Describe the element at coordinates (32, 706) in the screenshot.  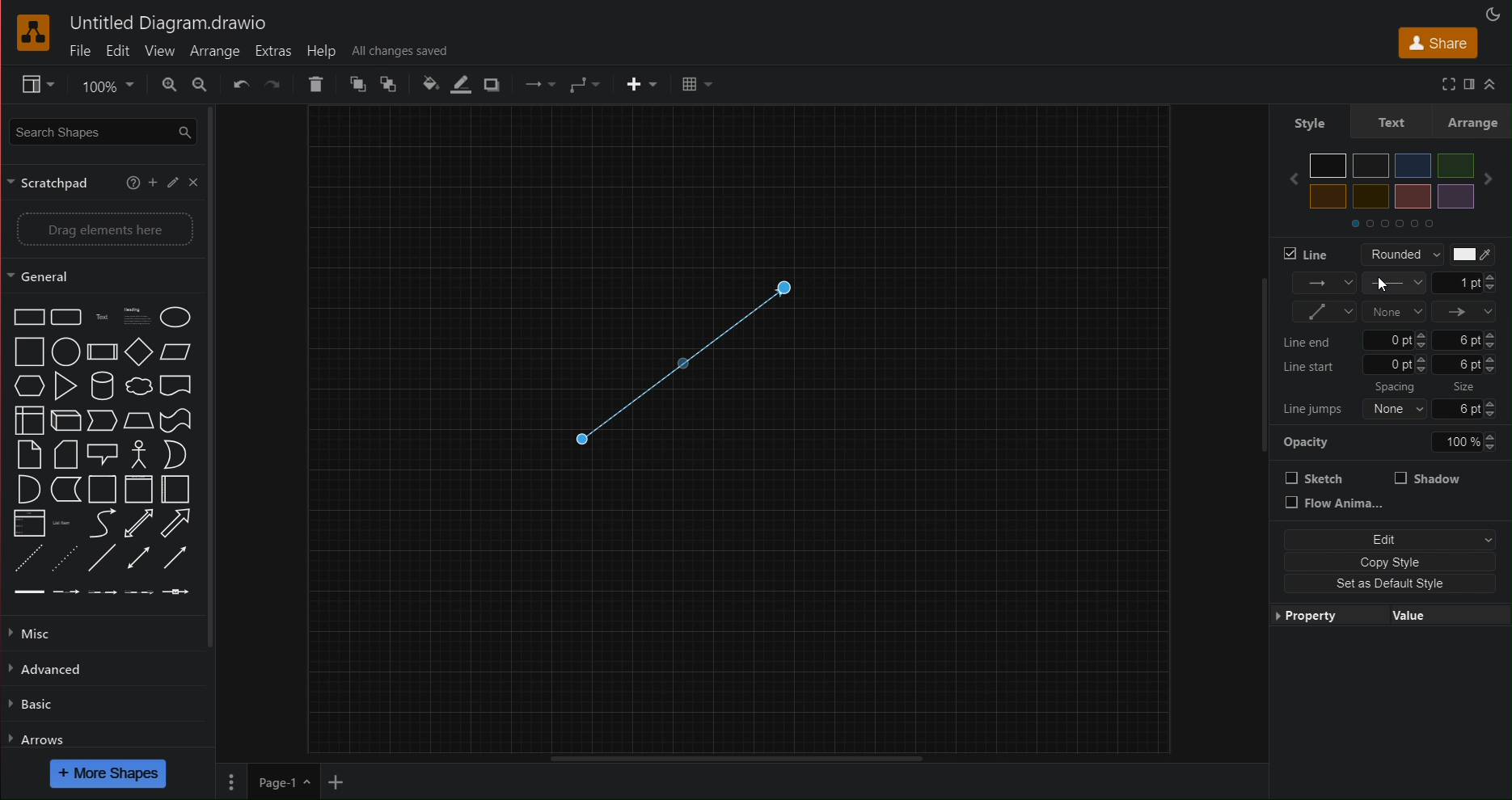
I see `Basic` at that location.